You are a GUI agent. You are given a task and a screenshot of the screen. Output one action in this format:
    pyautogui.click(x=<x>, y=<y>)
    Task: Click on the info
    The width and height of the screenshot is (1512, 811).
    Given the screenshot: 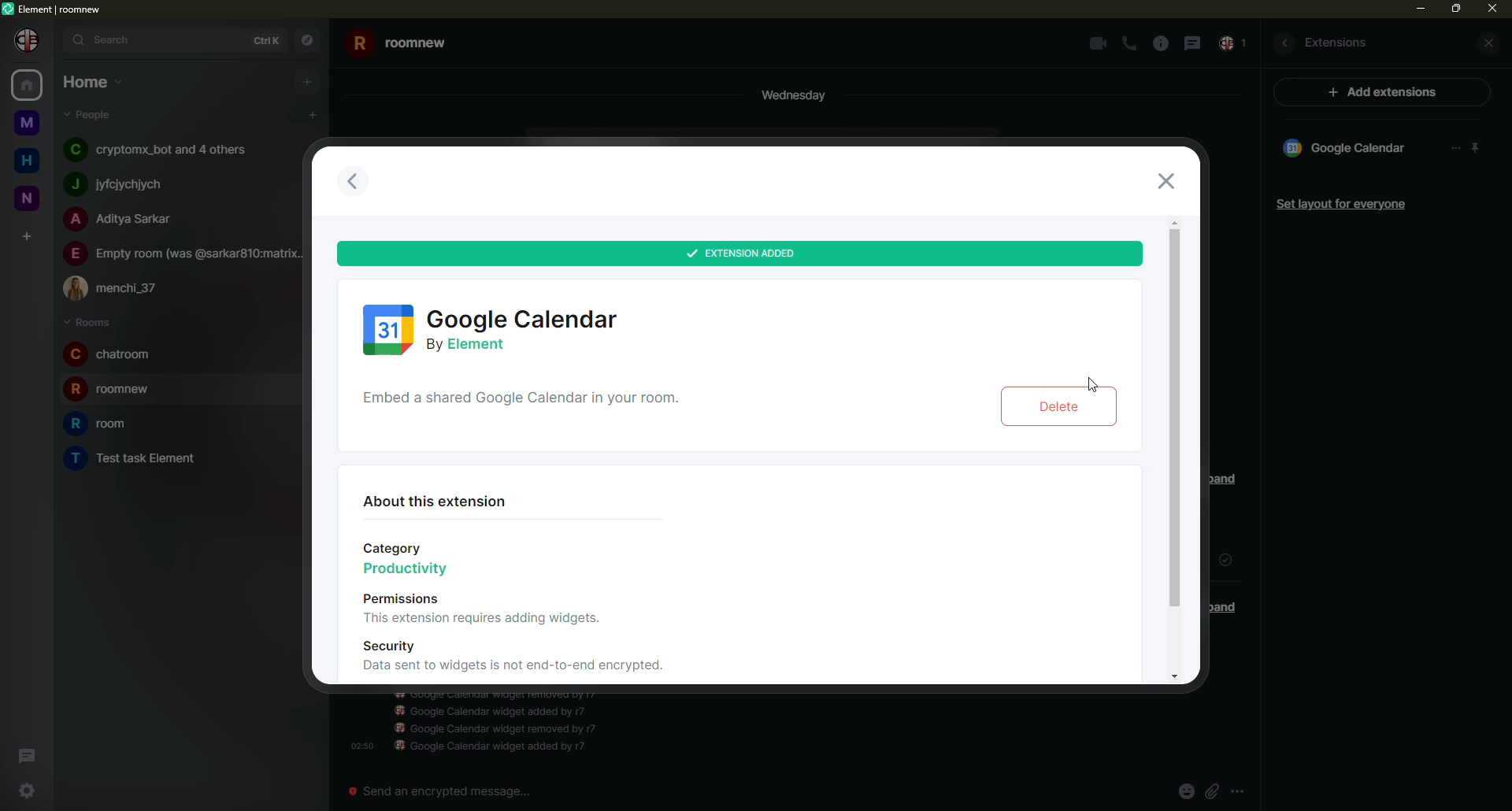 What is the action you would take?
    pyautogui.click(x=1377, y=467)
    